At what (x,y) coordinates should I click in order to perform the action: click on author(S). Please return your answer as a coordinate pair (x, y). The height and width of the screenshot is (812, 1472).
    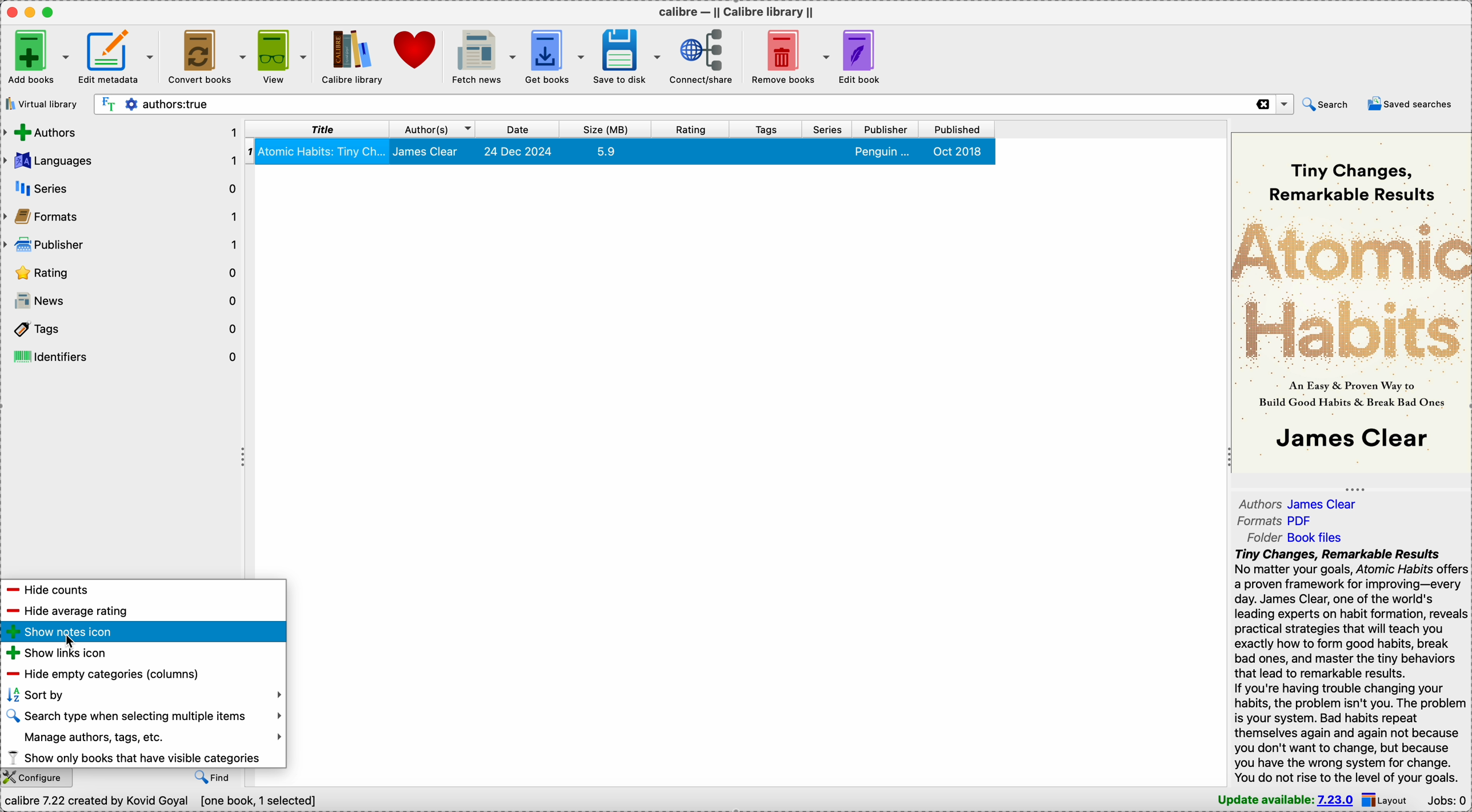
    Looking at the image, I should click on (431, 129).